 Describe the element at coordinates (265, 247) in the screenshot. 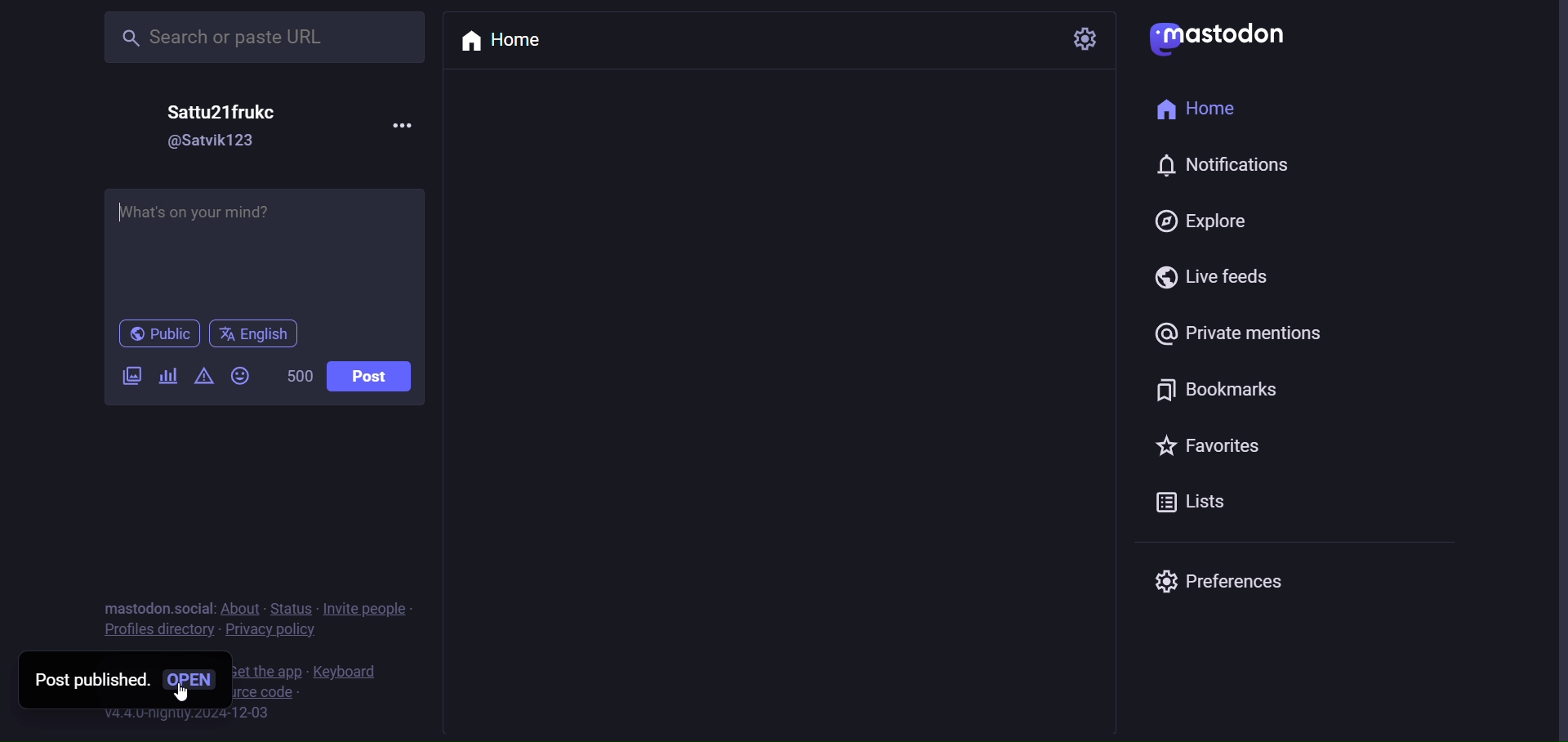

I see `write here` at that location.